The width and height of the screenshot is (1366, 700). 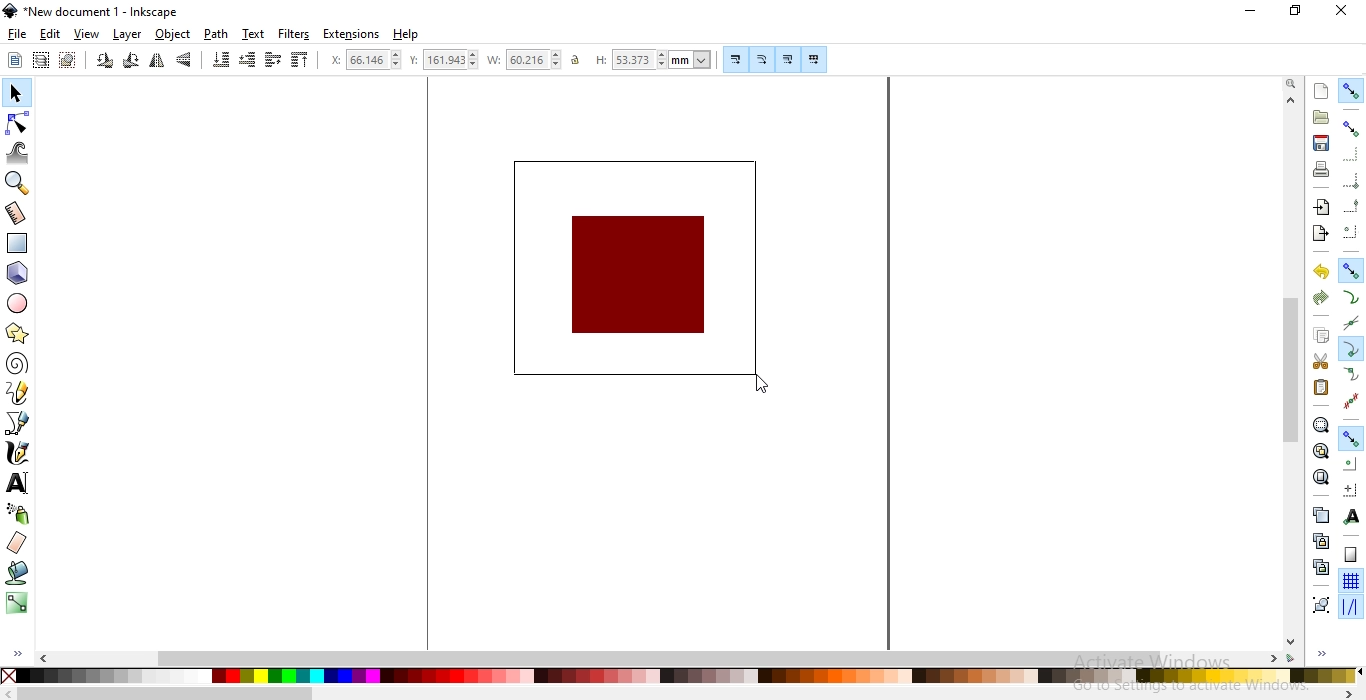 What do you see at coordinates (1350, 324) in the screenshot?
I see `snap to path intersections` at bounding box center [1350, 324].